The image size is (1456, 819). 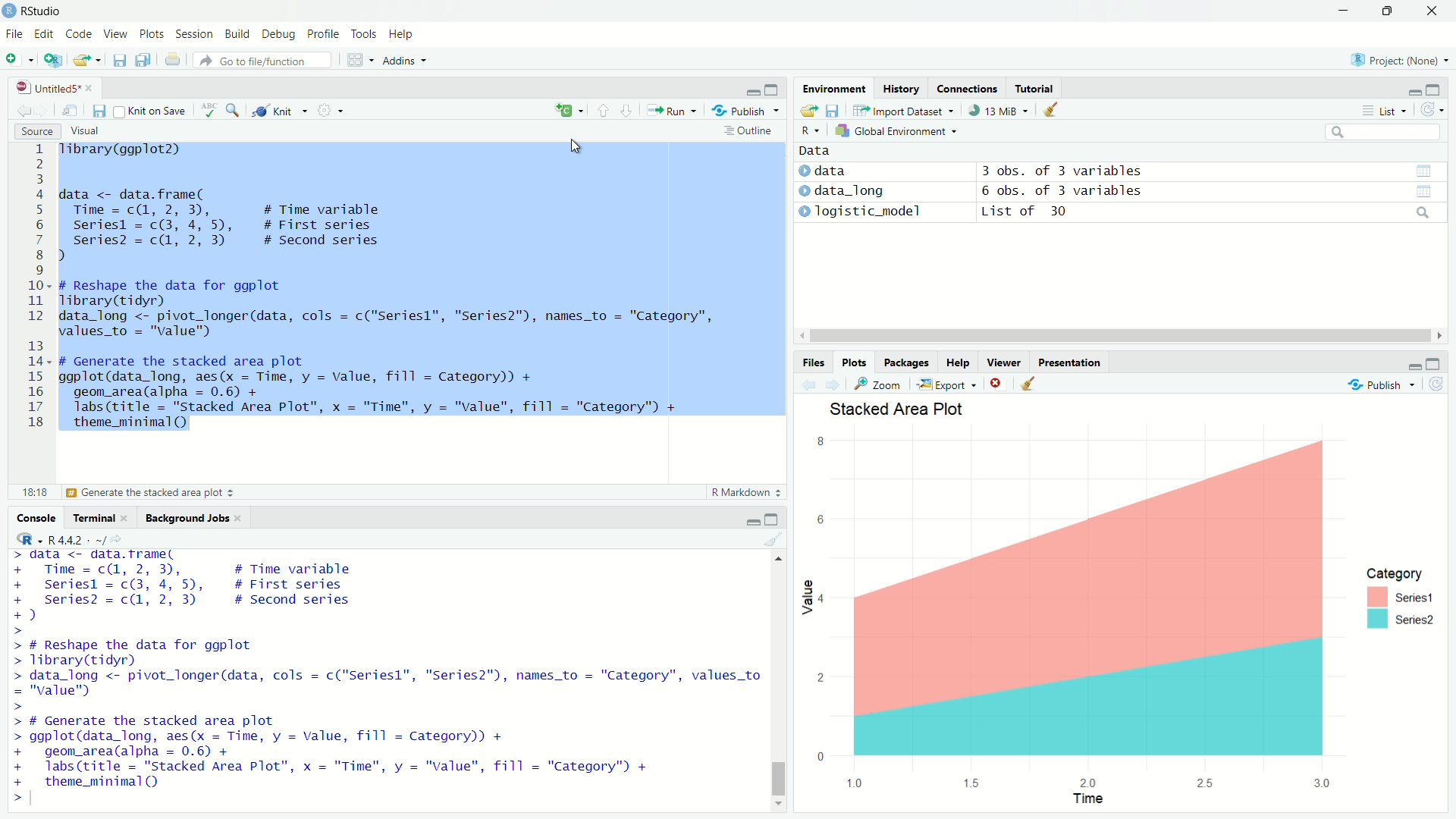 I want to click on close, so click(x=996, y=383).